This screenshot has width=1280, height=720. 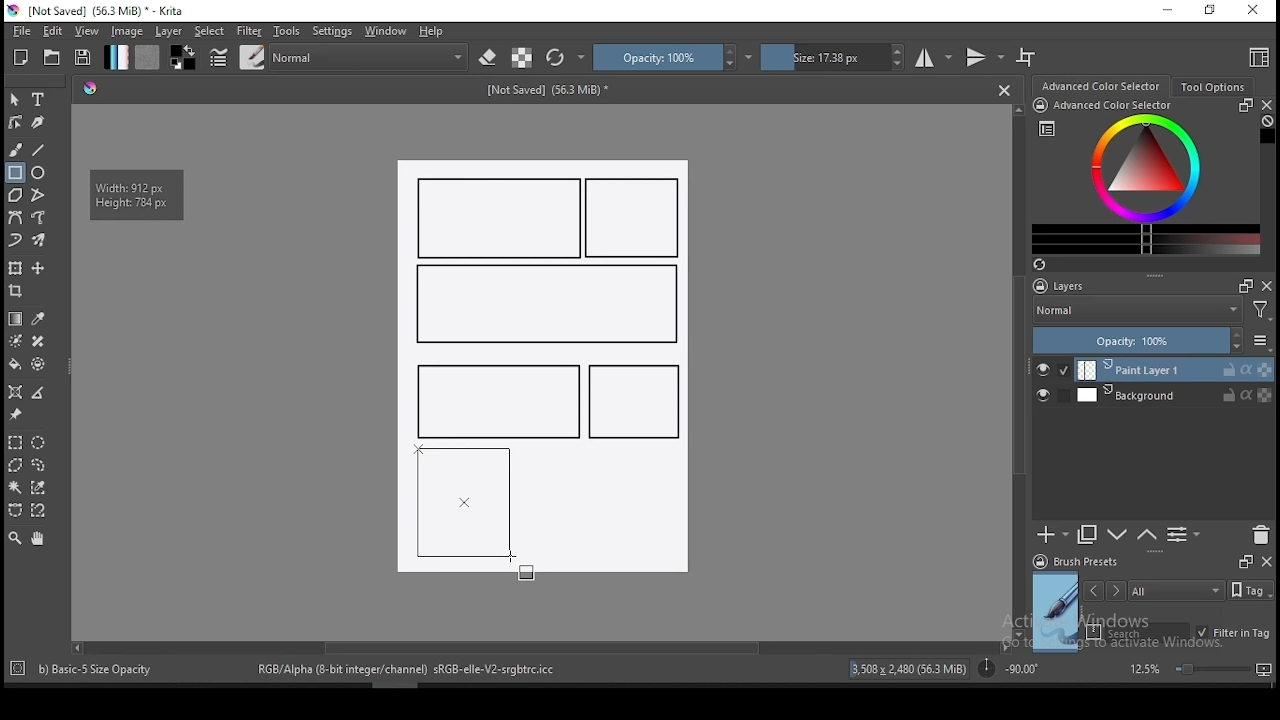 What do you see at coordinates (636, 219) in the screenshot?
I see `new rectangle` at bounding box center [636, 219].